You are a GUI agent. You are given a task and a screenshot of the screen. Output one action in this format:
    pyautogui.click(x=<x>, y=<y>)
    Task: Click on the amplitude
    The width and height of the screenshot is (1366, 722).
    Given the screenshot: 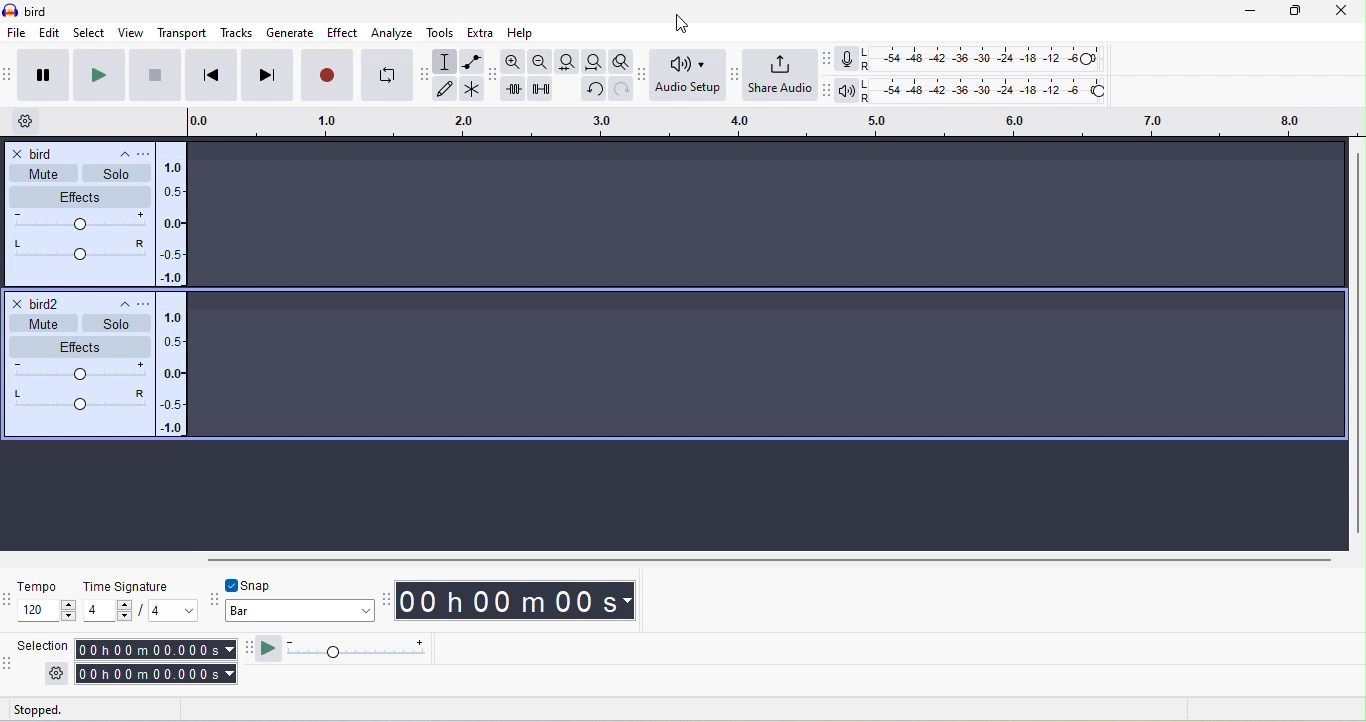 What is the action you would take?
    pyautogui.click(x=173, y=364)
    